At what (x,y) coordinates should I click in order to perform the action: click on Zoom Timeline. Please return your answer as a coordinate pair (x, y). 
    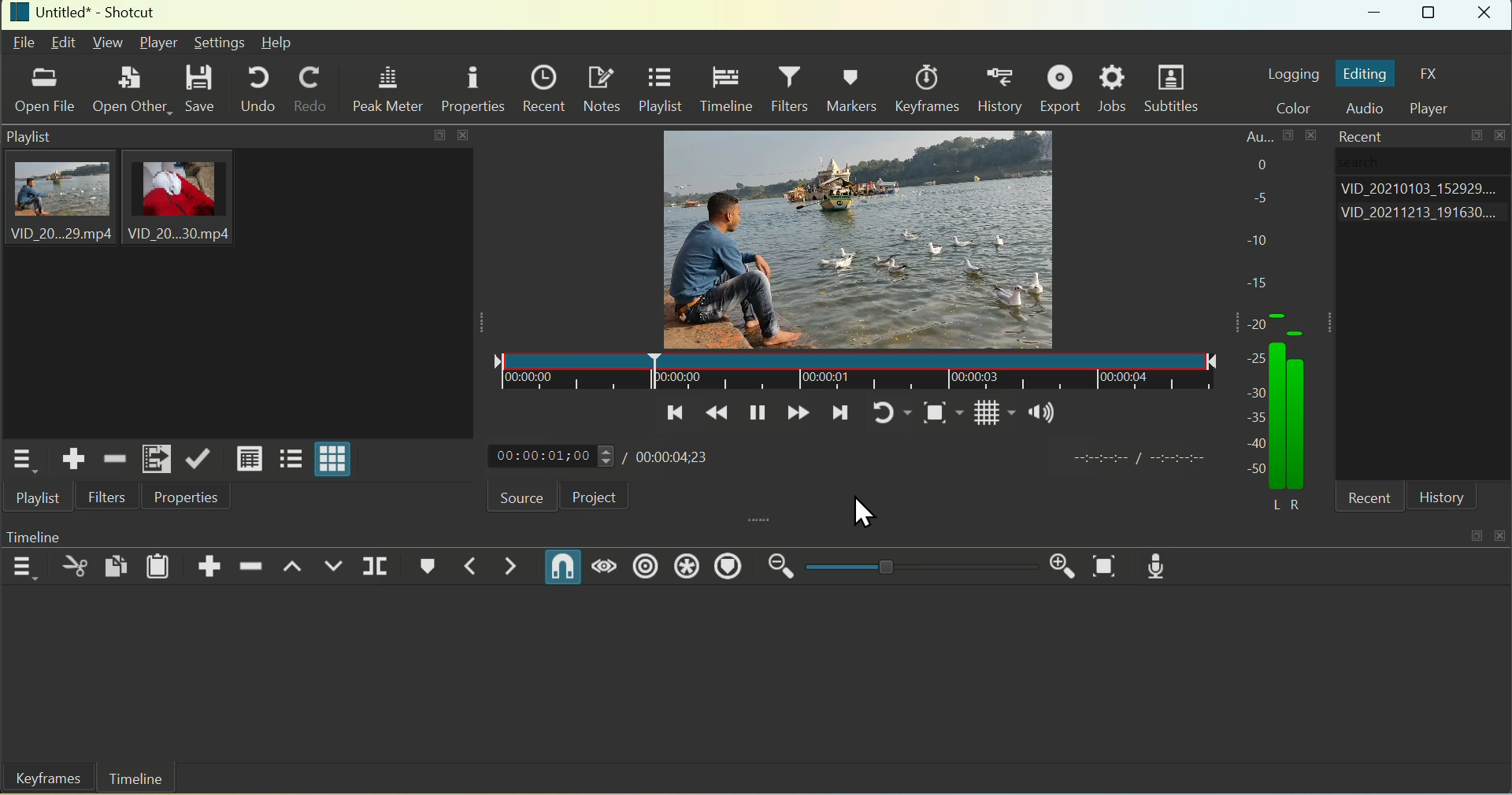
    Looking at the image, I should click on (1106, 567).